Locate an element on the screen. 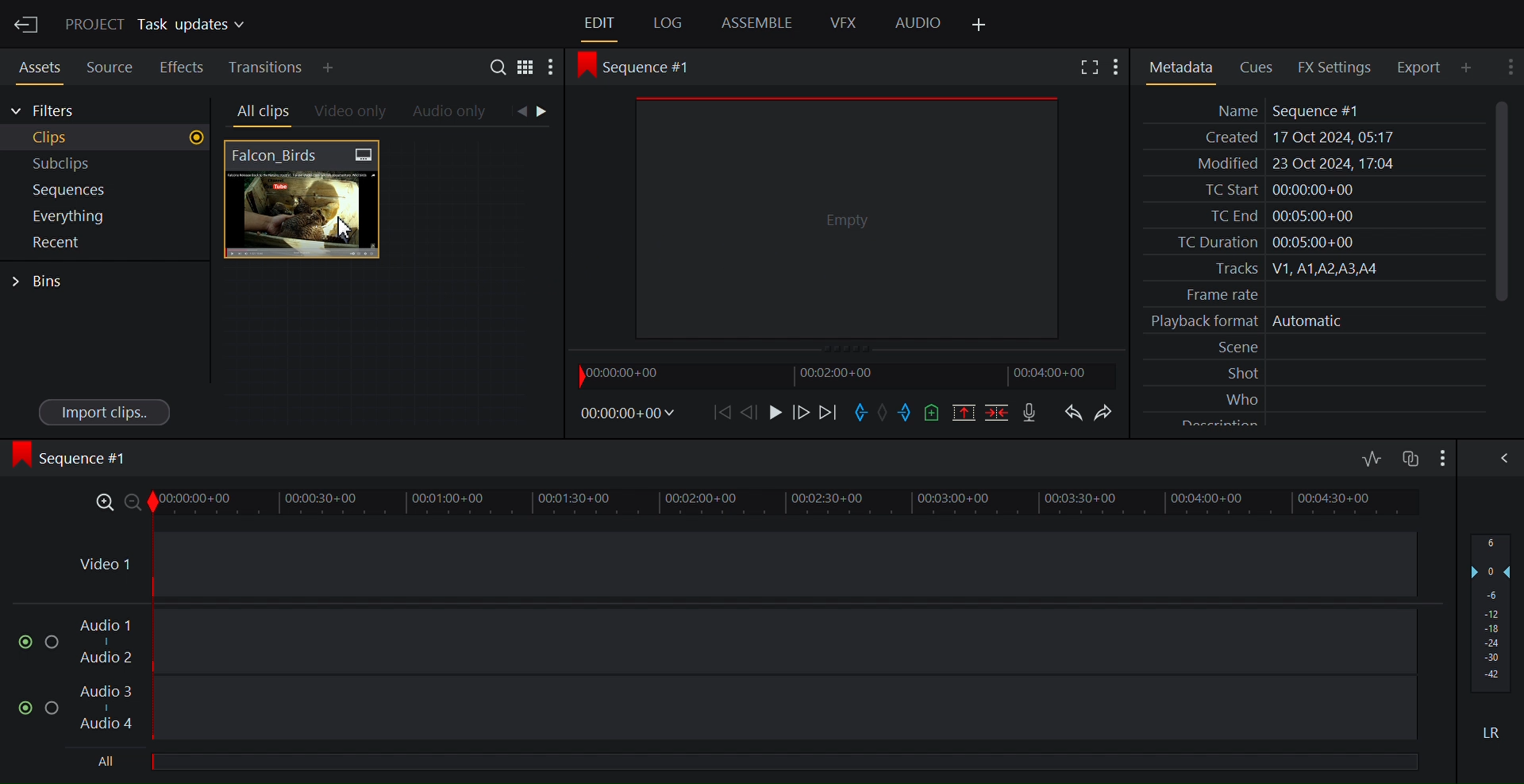  Video Track is located at coordinates (745, 564).